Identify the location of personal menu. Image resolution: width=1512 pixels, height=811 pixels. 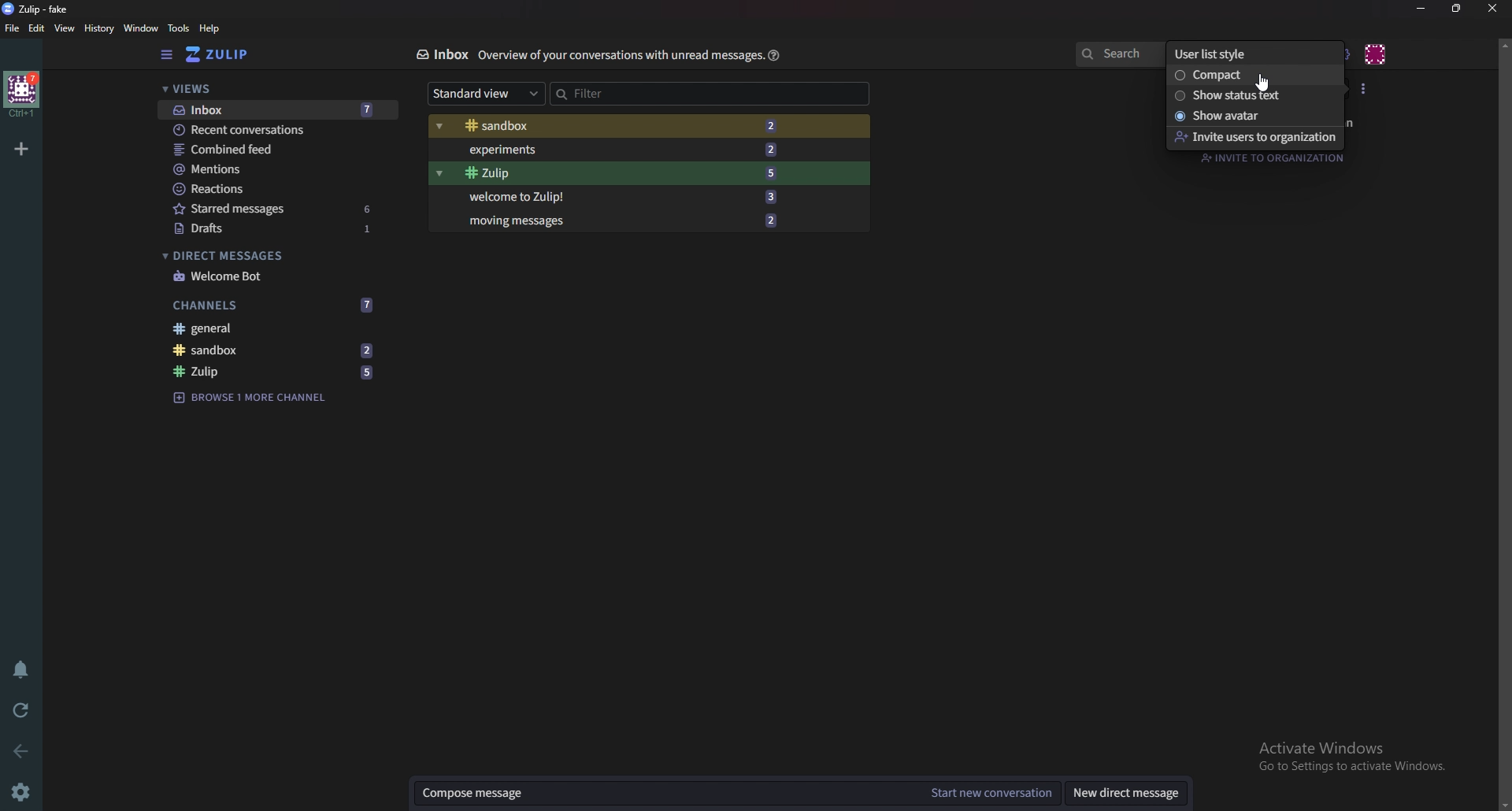
(1377, 52).